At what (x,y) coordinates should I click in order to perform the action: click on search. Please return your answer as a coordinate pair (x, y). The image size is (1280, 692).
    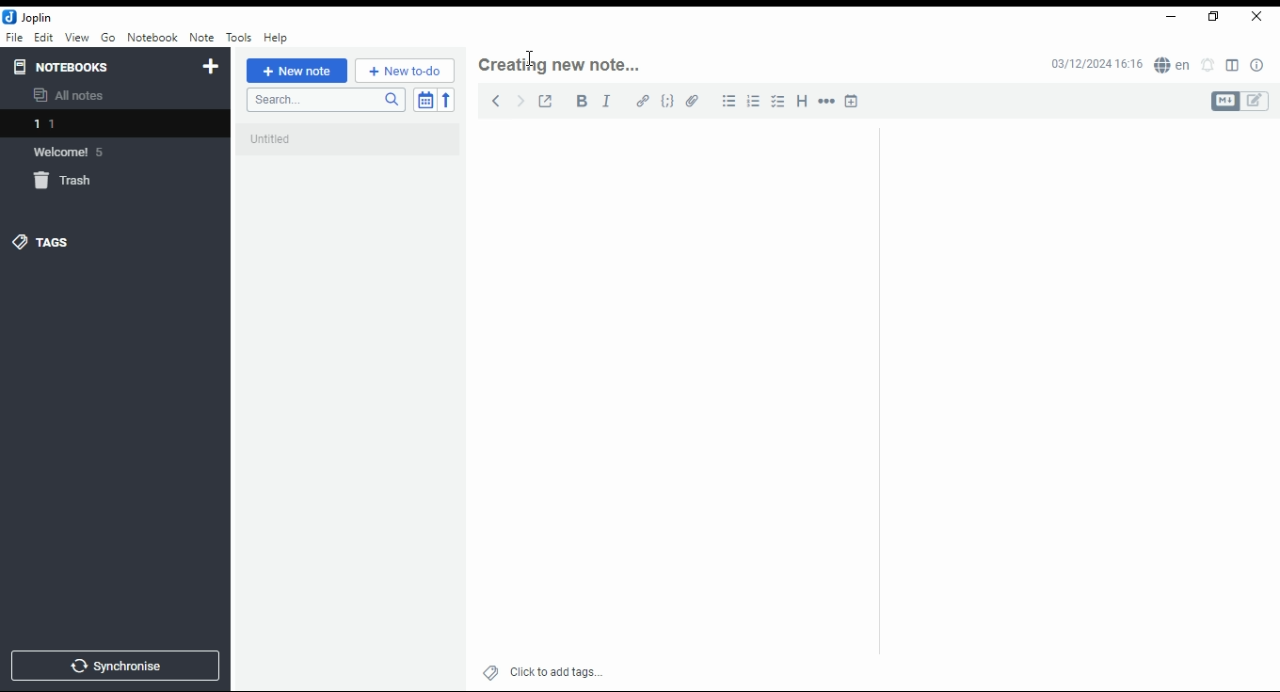
    Looking at the image, I should click on (325, 100).